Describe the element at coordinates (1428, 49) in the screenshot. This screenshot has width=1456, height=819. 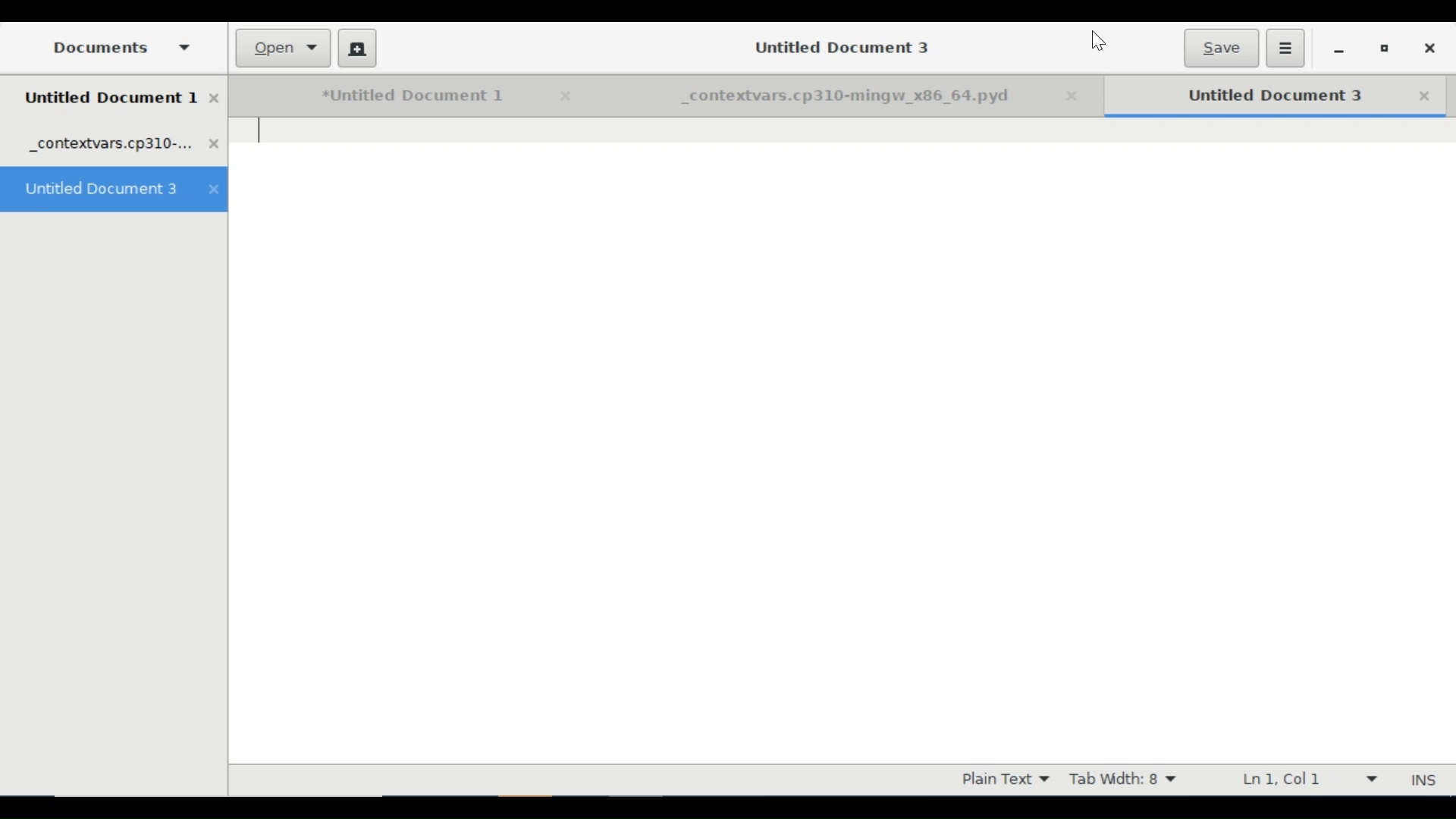
I see `Close` at that location.